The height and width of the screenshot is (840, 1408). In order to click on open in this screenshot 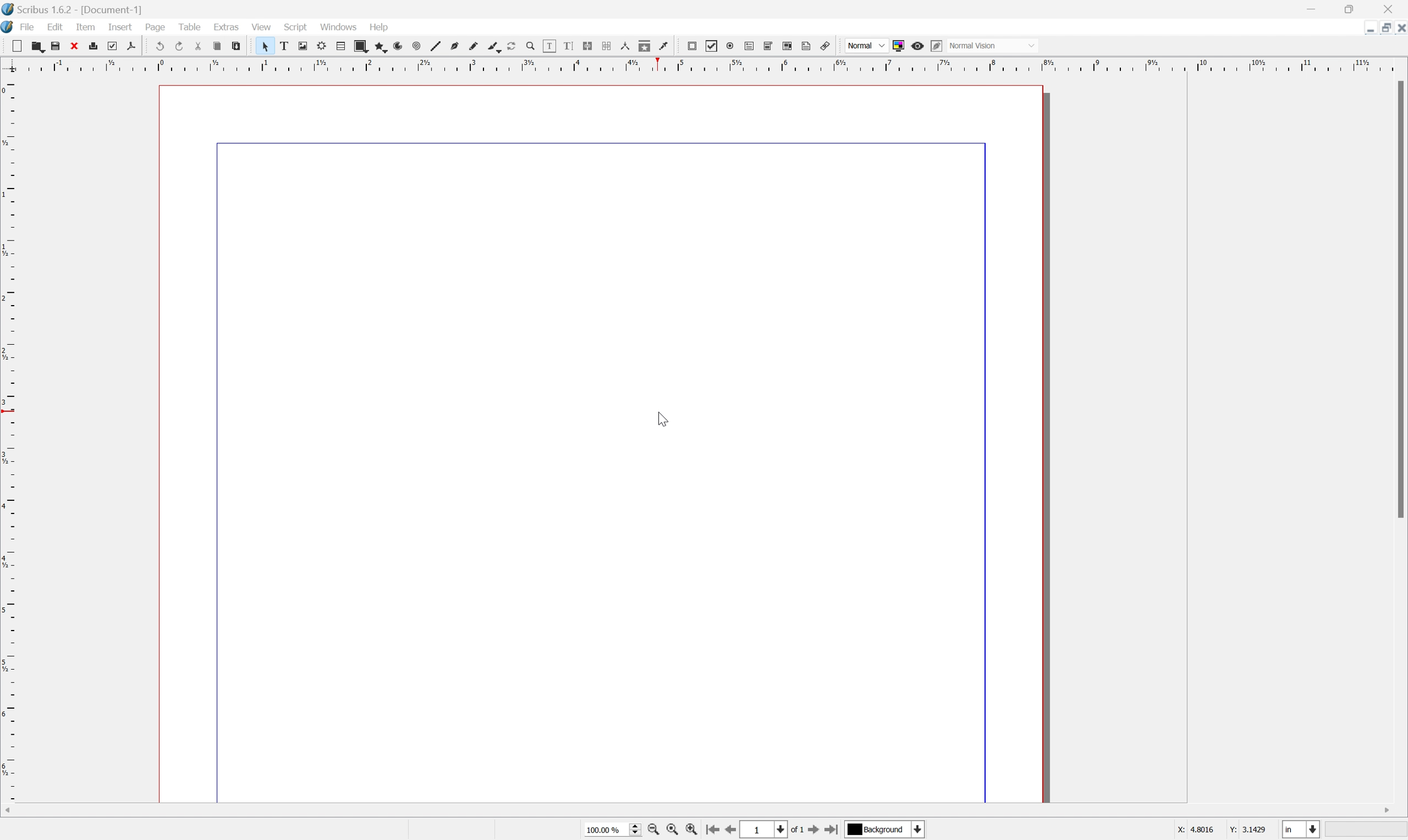, I will do `click(40, 48)`.